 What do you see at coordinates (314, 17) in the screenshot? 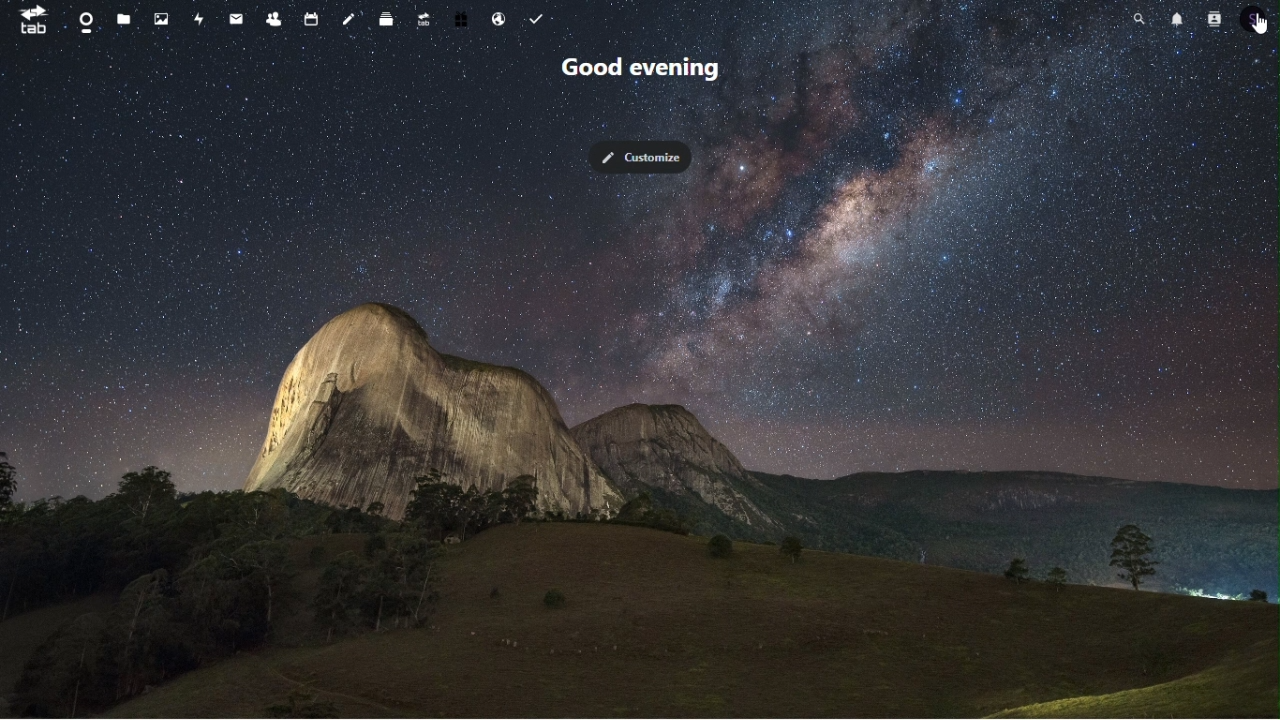
I see `calendar` at bounding box center [314, 17].